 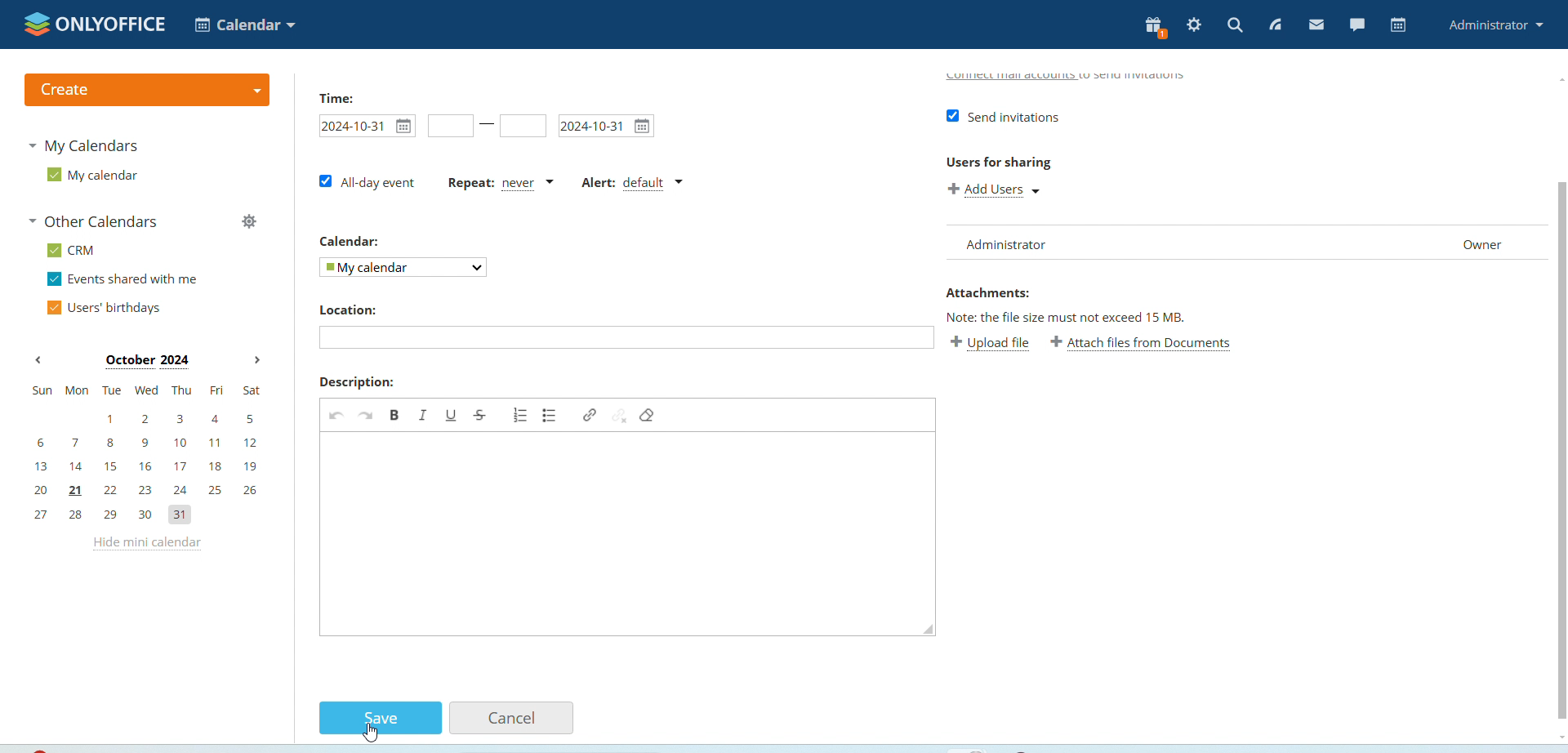 What do you see at coordinates (243, 24) in the screenshot?
I see `calendar application` at bounding box center [243, 24].